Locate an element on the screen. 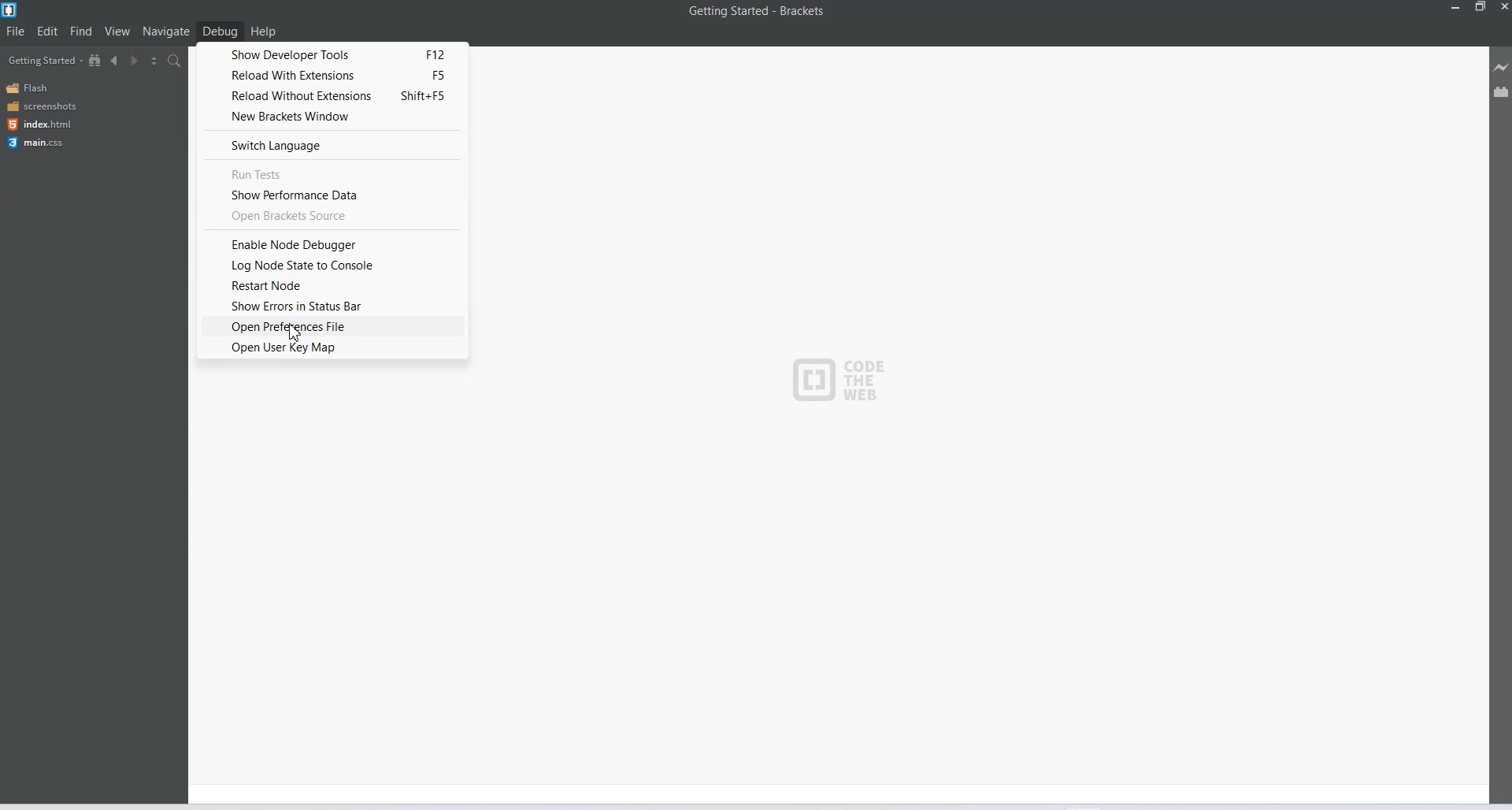  Split editor vertically and Horizontally is located at coordinates (154, 61).